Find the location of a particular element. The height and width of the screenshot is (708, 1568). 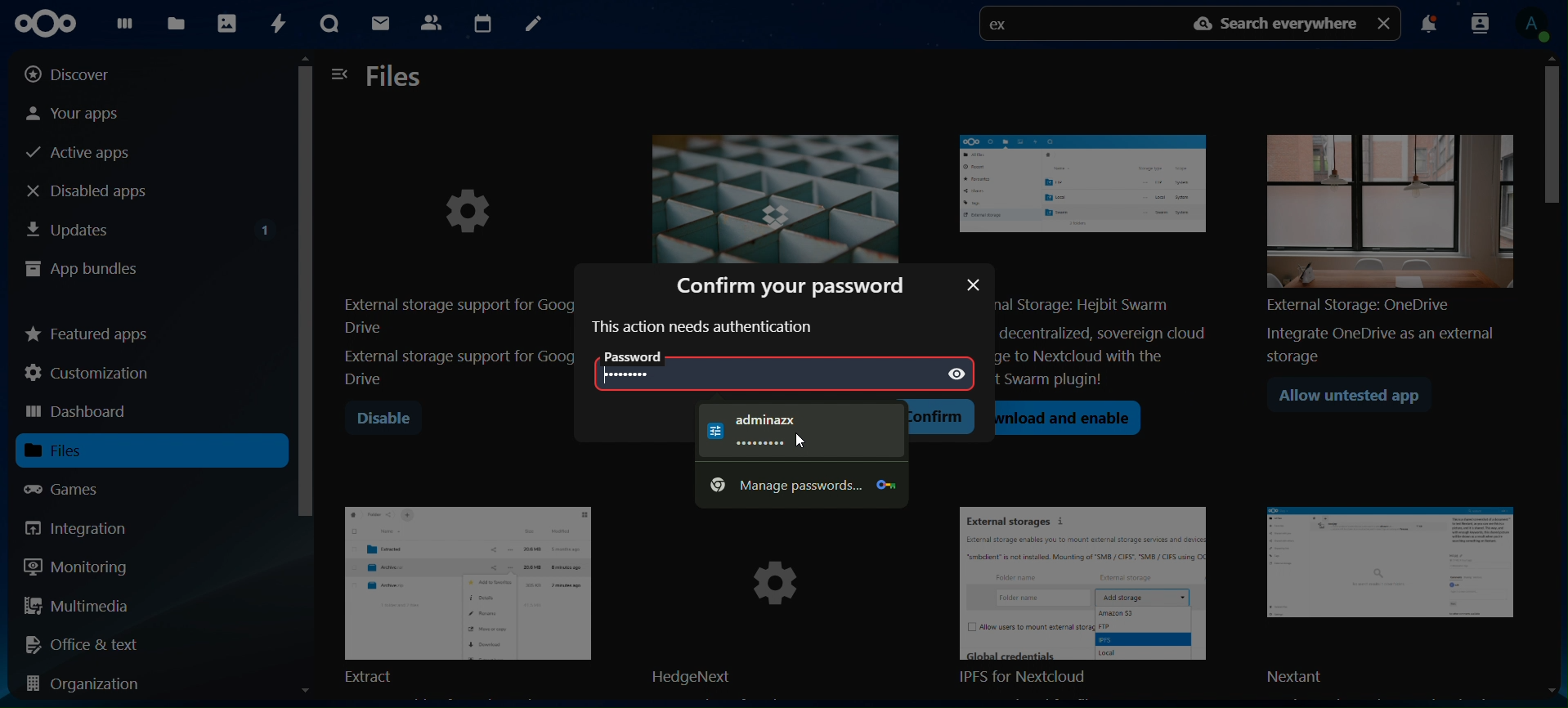

your apps is located at coordinates (89, 112).